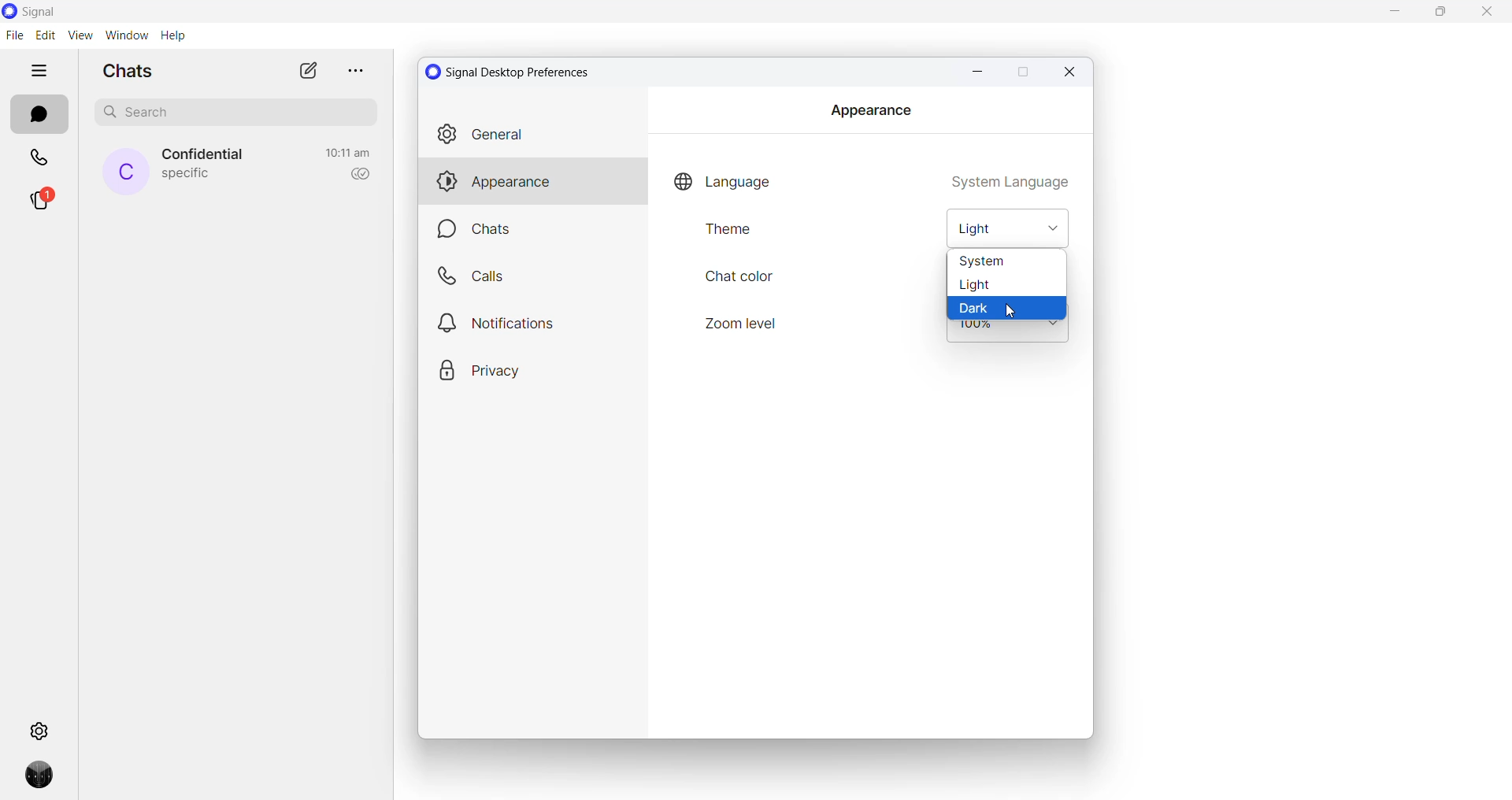 The width and height of the screenshot is (1512, 800). I want to click on window, so click(126, 35).